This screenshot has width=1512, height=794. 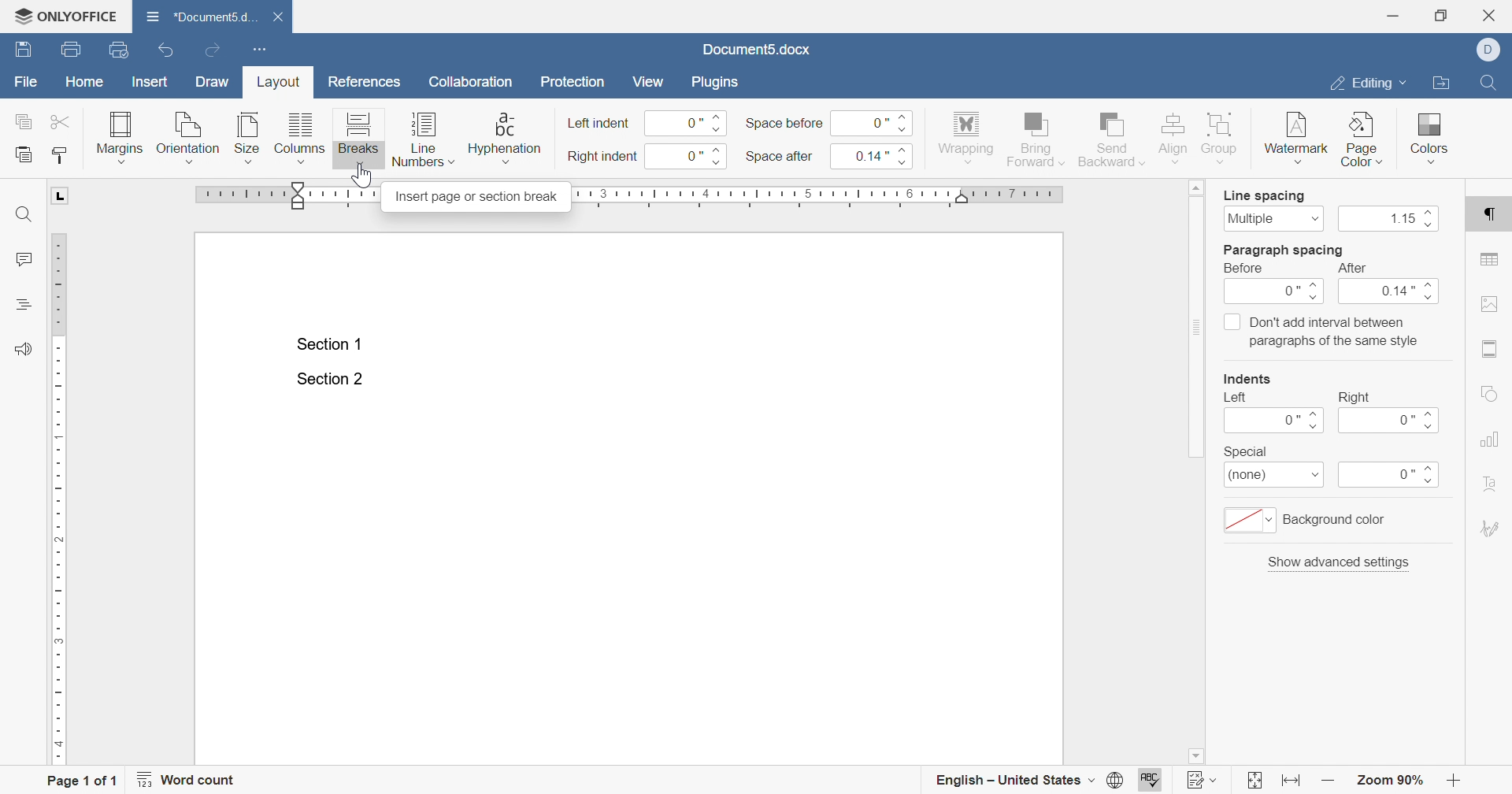 What do you see at coordinates (120, 136) in the screenshot?
I see `margins` at bounding box center [120, 136].